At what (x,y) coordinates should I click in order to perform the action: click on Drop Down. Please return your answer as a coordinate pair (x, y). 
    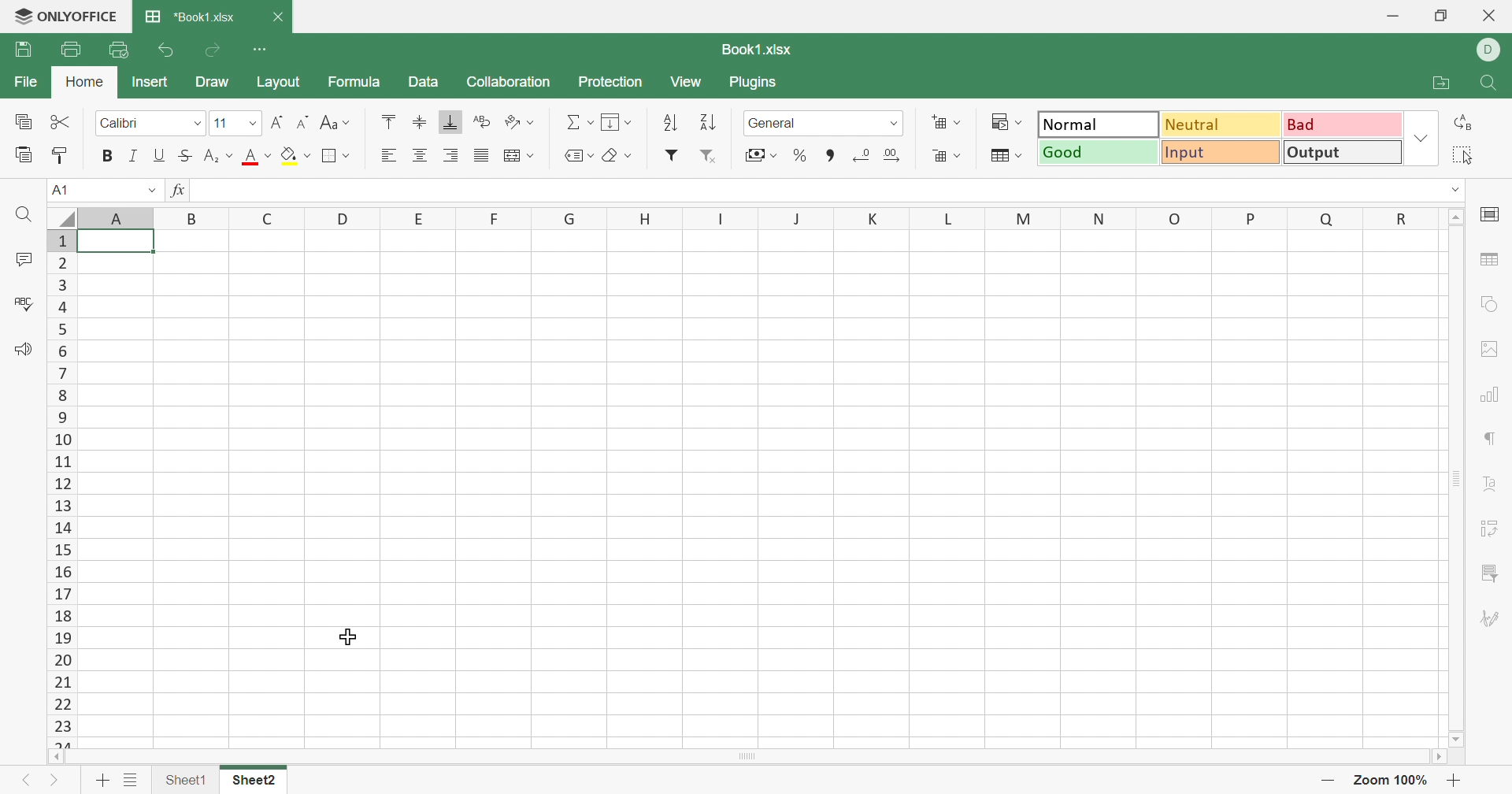
    Looking at the image, I should click on (268, 155).